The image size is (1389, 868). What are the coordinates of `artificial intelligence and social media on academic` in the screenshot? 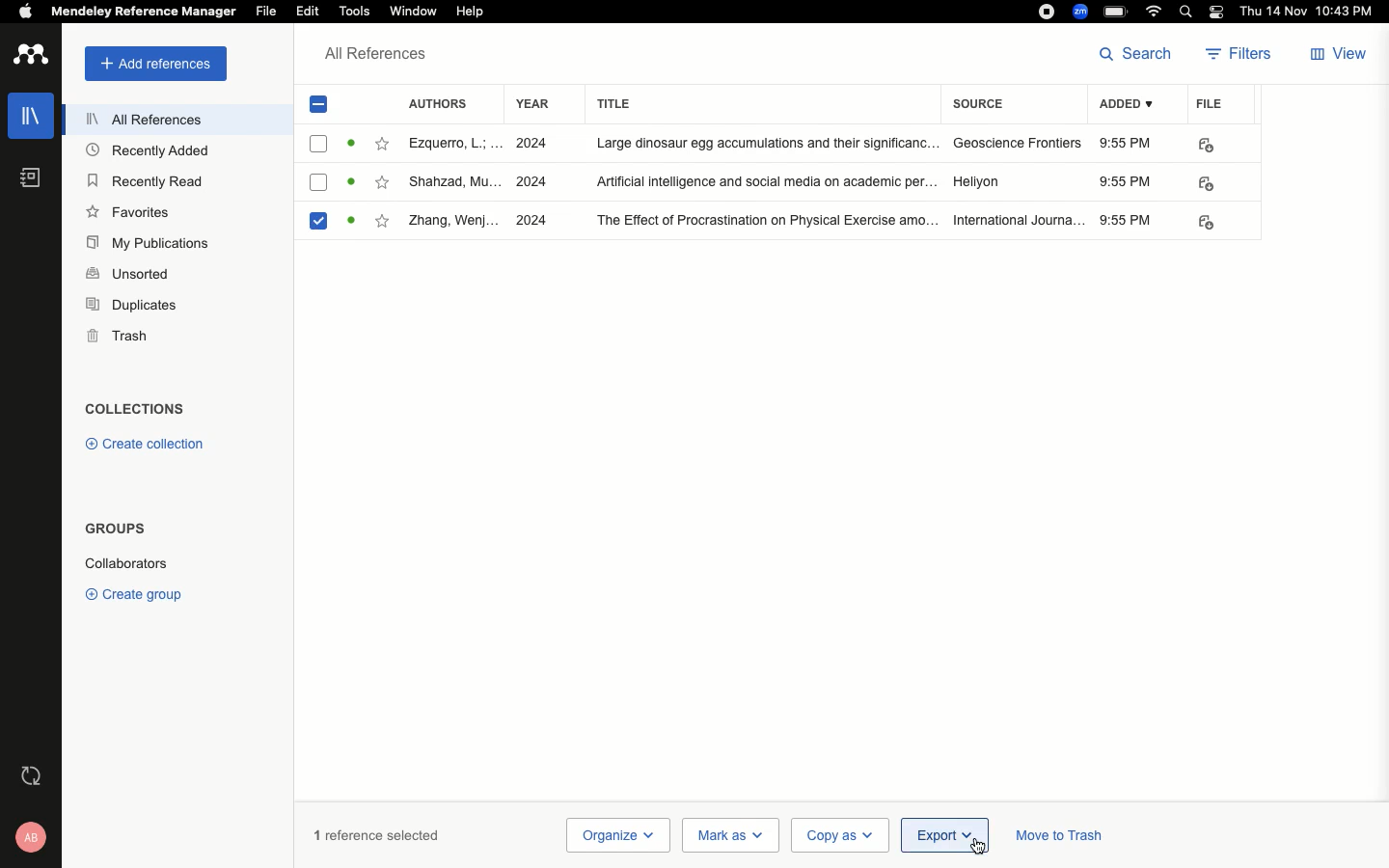 It's located at (766, 179).